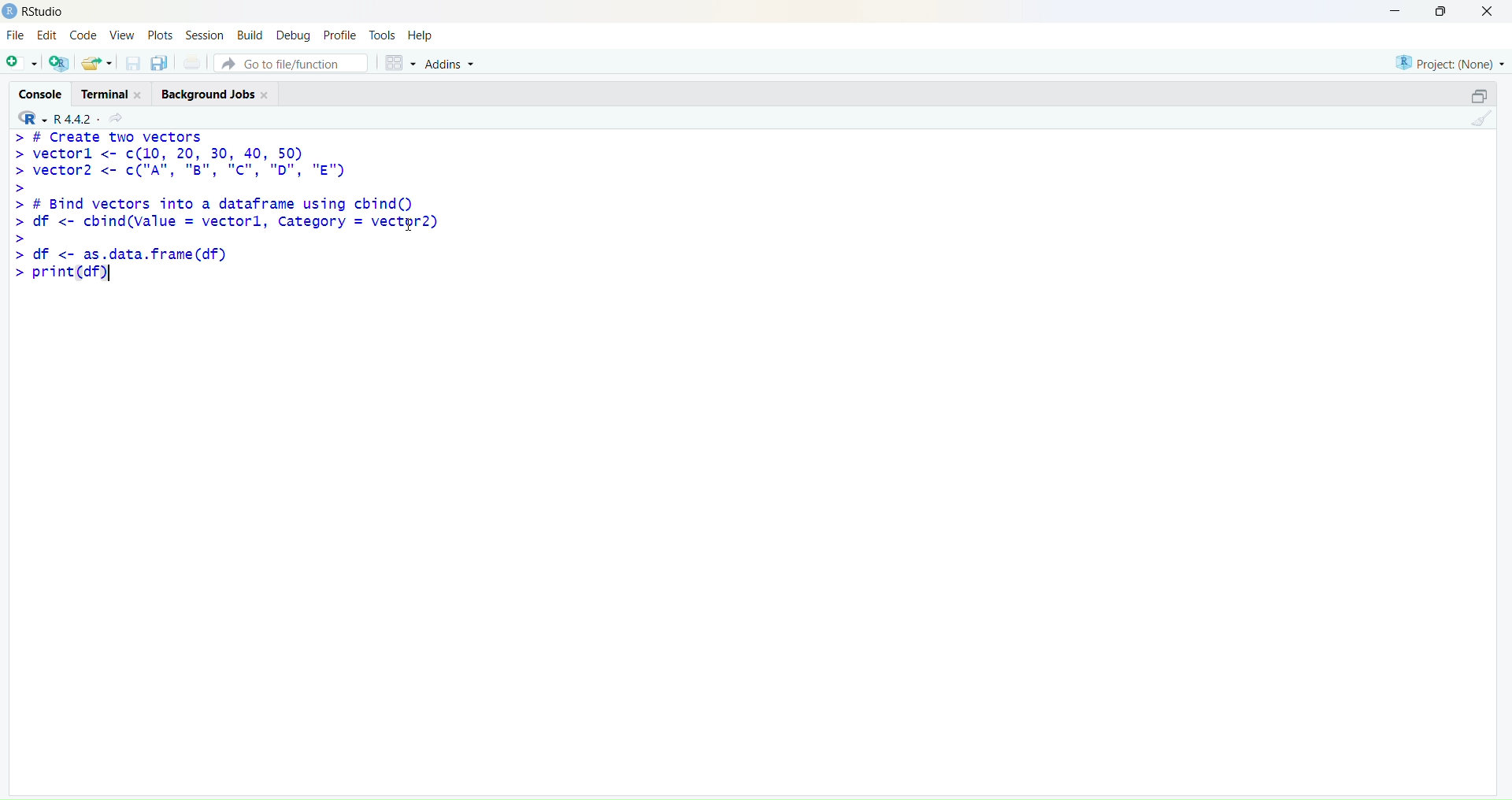 Image resolution: width=1512 pixels, height=800 pixels. I want to click on Help, so click(421, 35).